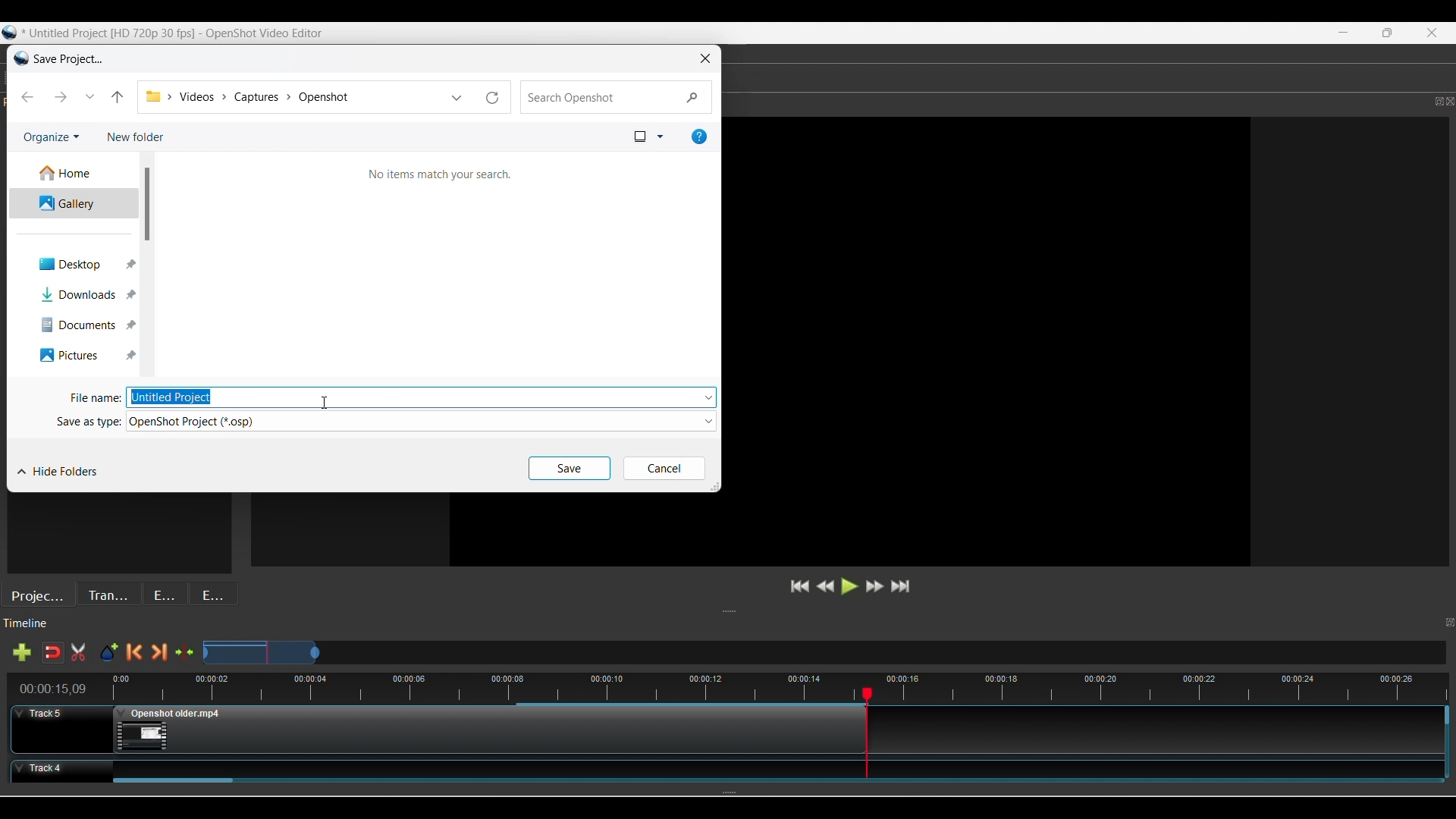 The width and height of the screenshot is (1456, 819). Describe the element at coordinates (90, 97) in the screenshot. I see `Recent locations` at that location.